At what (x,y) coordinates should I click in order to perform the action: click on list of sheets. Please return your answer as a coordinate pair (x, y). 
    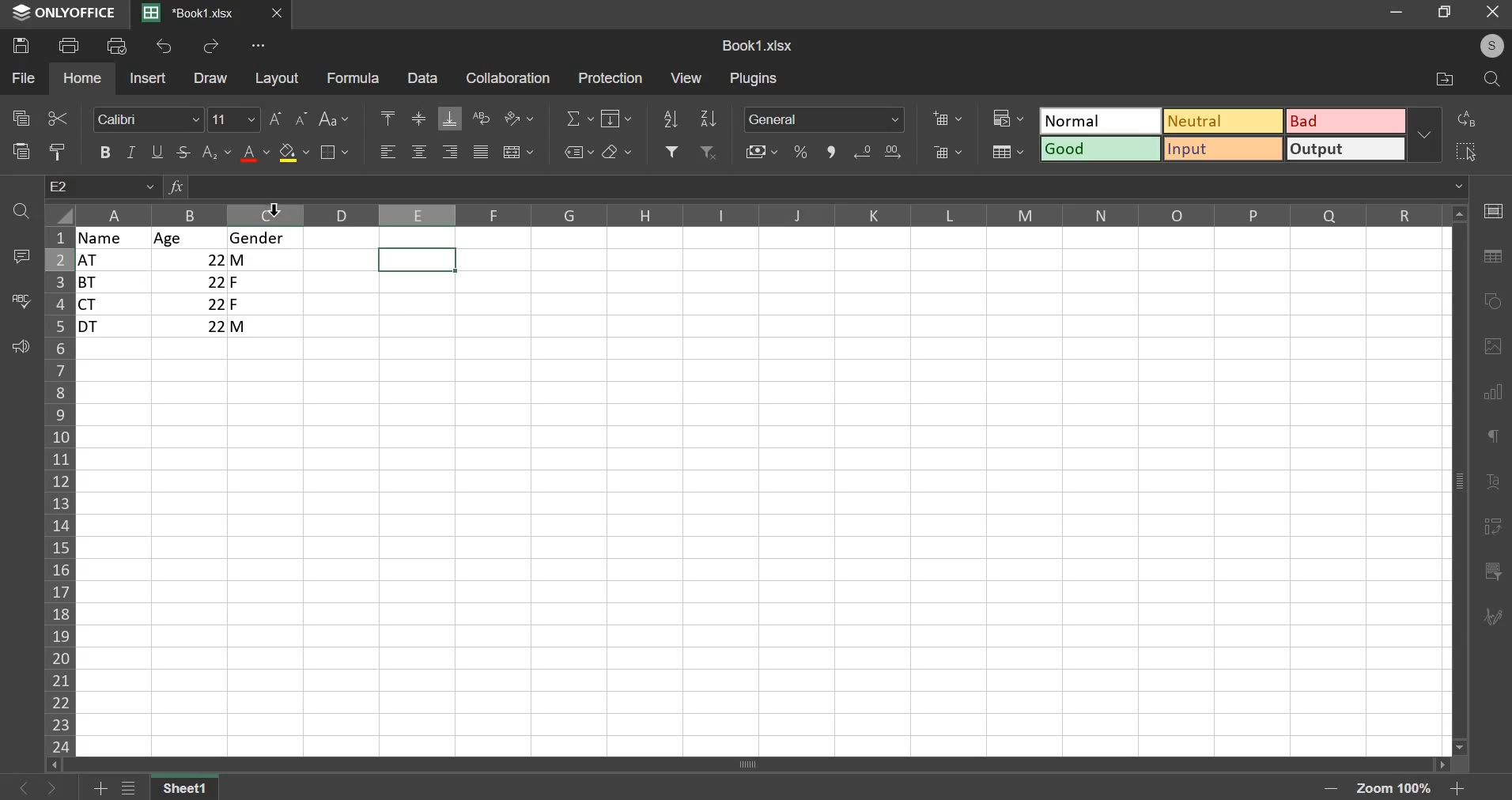
    Looking at the image, I should click on (133, 787).